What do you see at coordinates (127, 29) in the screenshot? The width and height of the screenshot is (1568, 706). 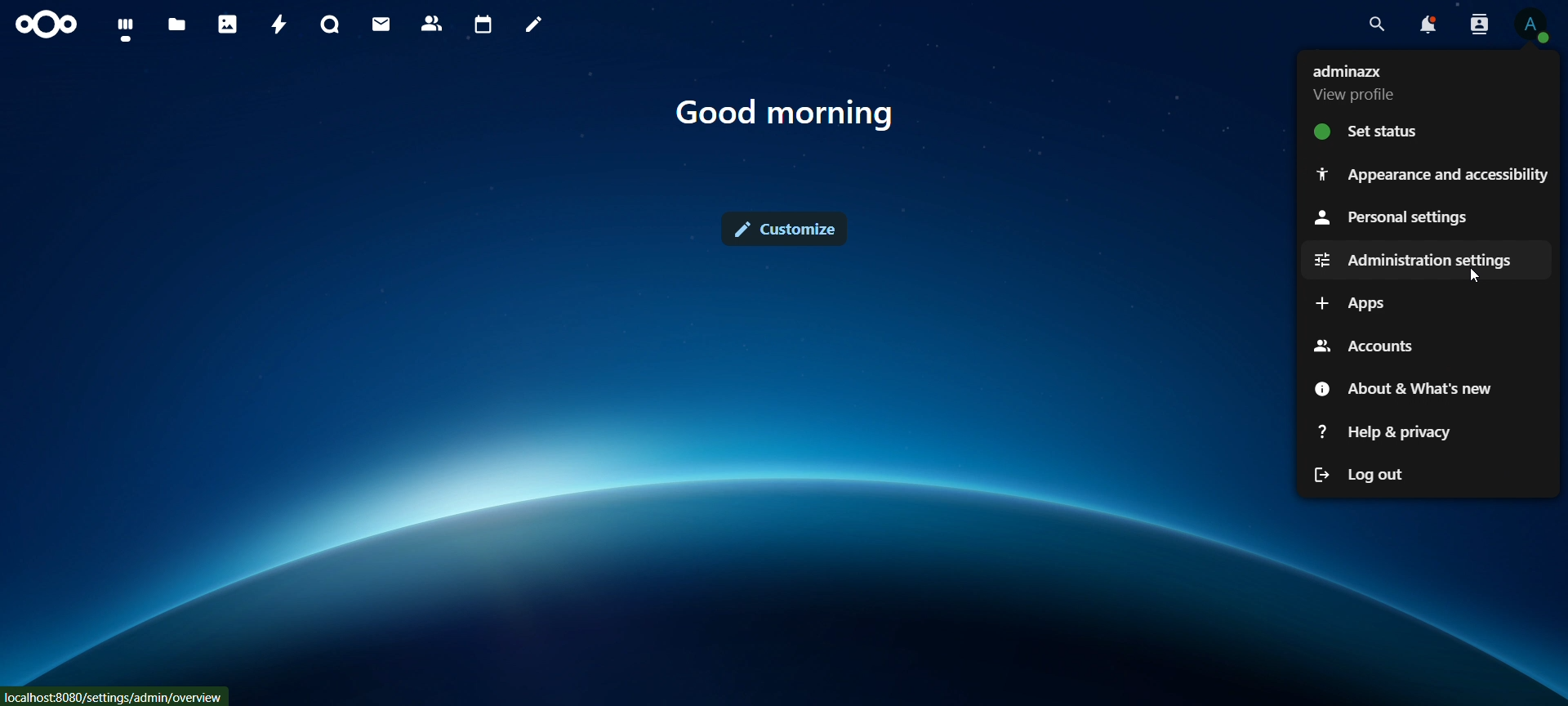 I see `dashboard` at bounding box center [127, 29].